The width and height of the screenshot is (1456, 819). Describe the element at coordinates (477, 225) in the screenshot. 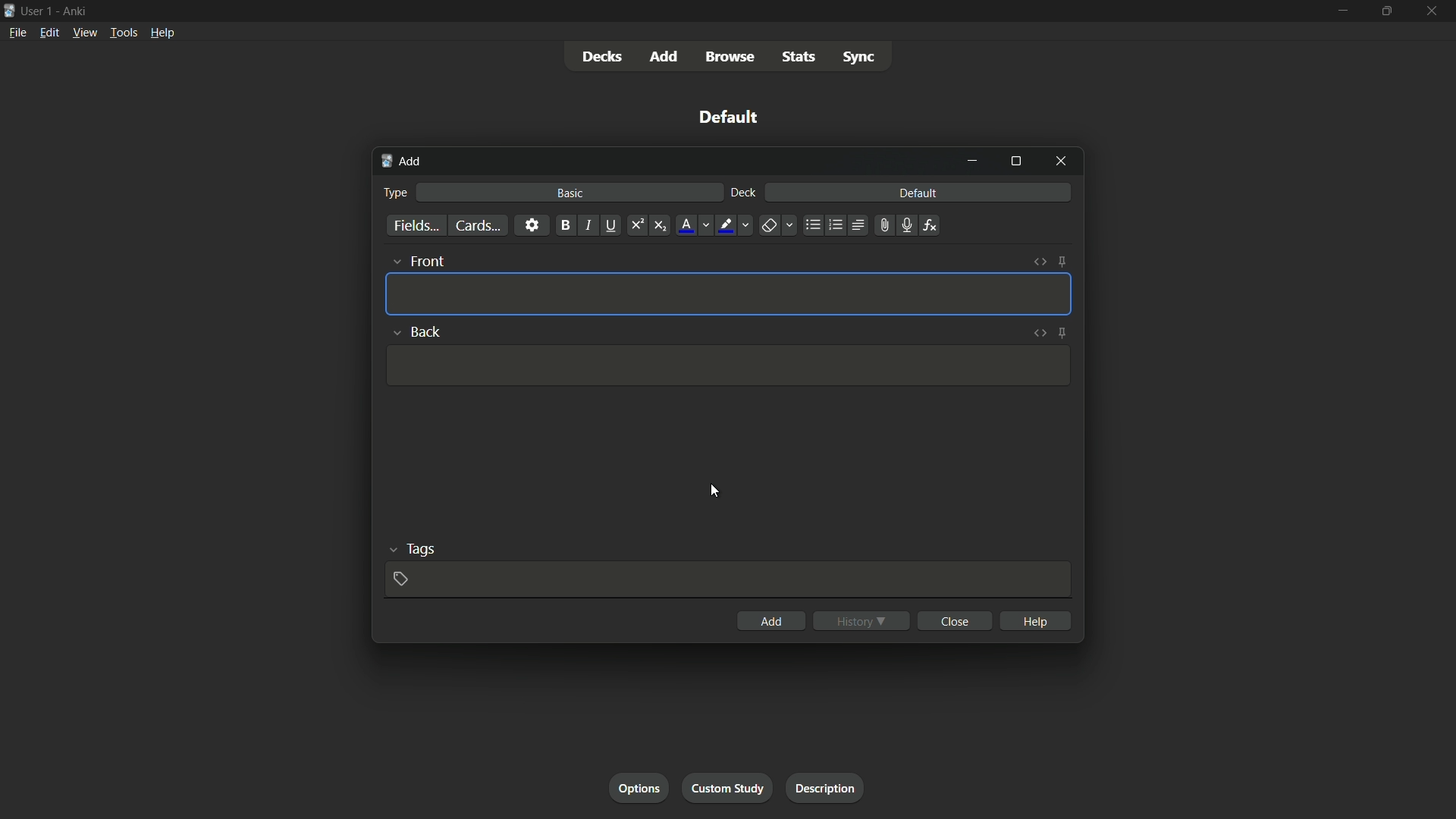

I see `cards` at that location.